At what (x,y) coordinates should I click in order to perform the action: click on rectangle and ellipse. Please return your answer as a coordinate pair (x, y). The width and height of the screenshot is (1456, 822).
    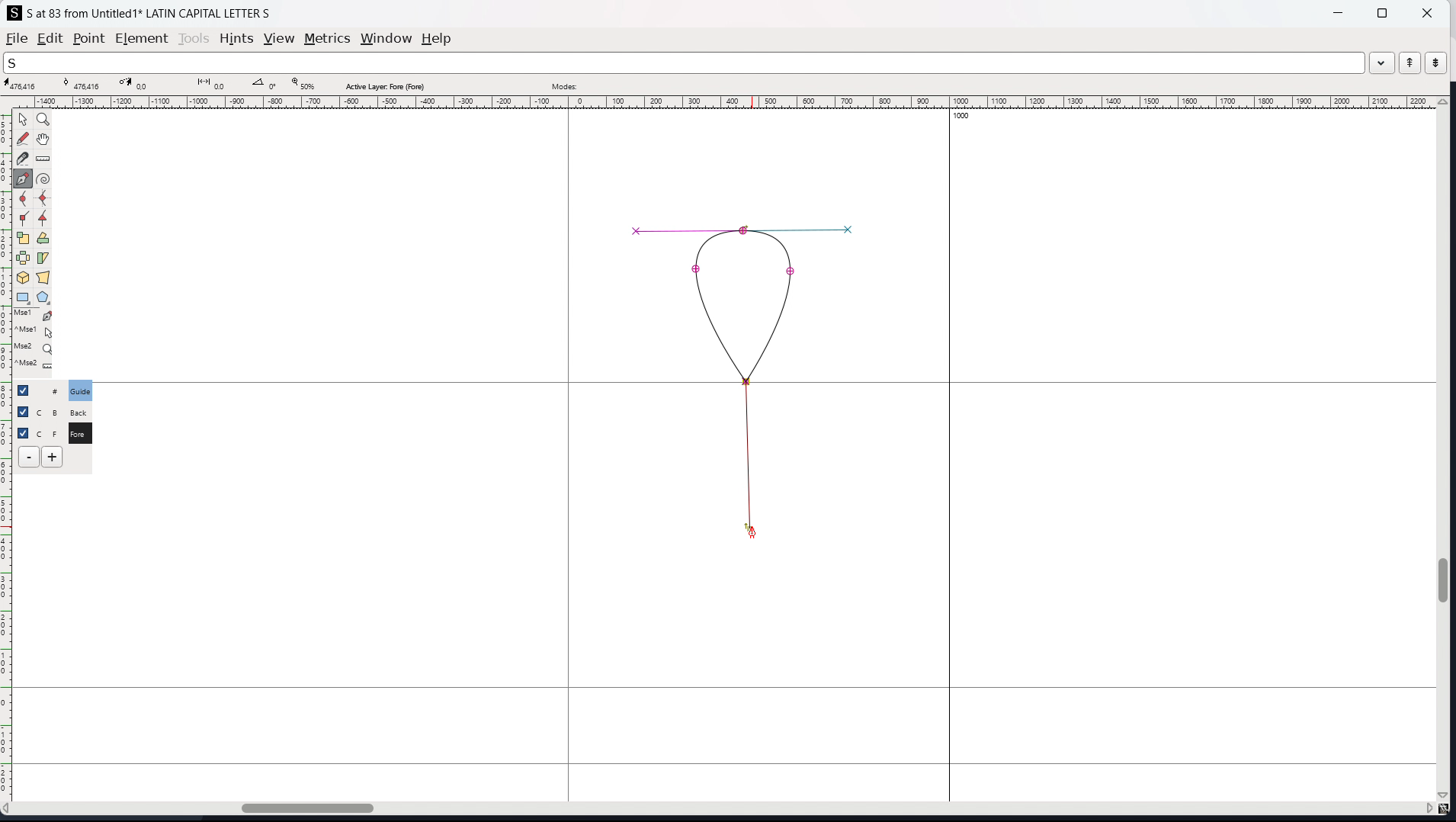
    Looking at the image, I should click on (24, 298).